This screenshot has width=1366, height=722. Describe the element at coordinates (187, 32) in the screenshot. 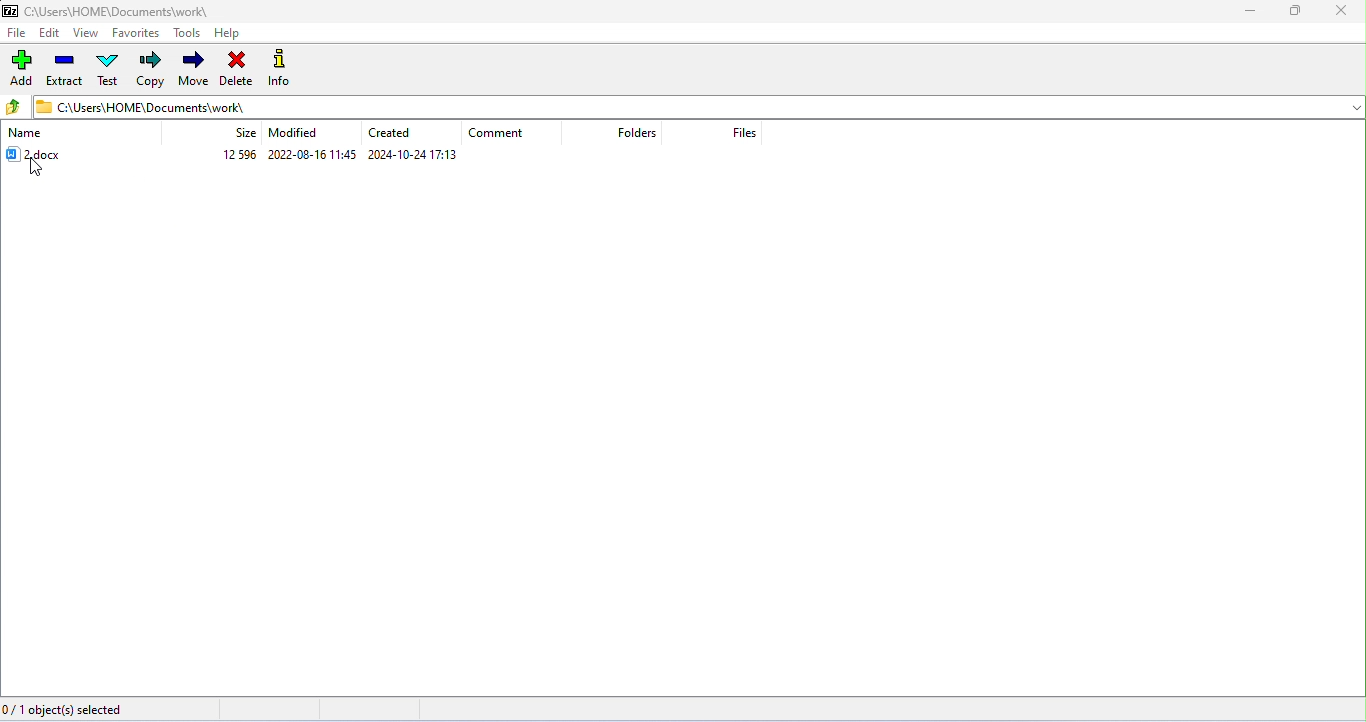

I see `tools` at that location.